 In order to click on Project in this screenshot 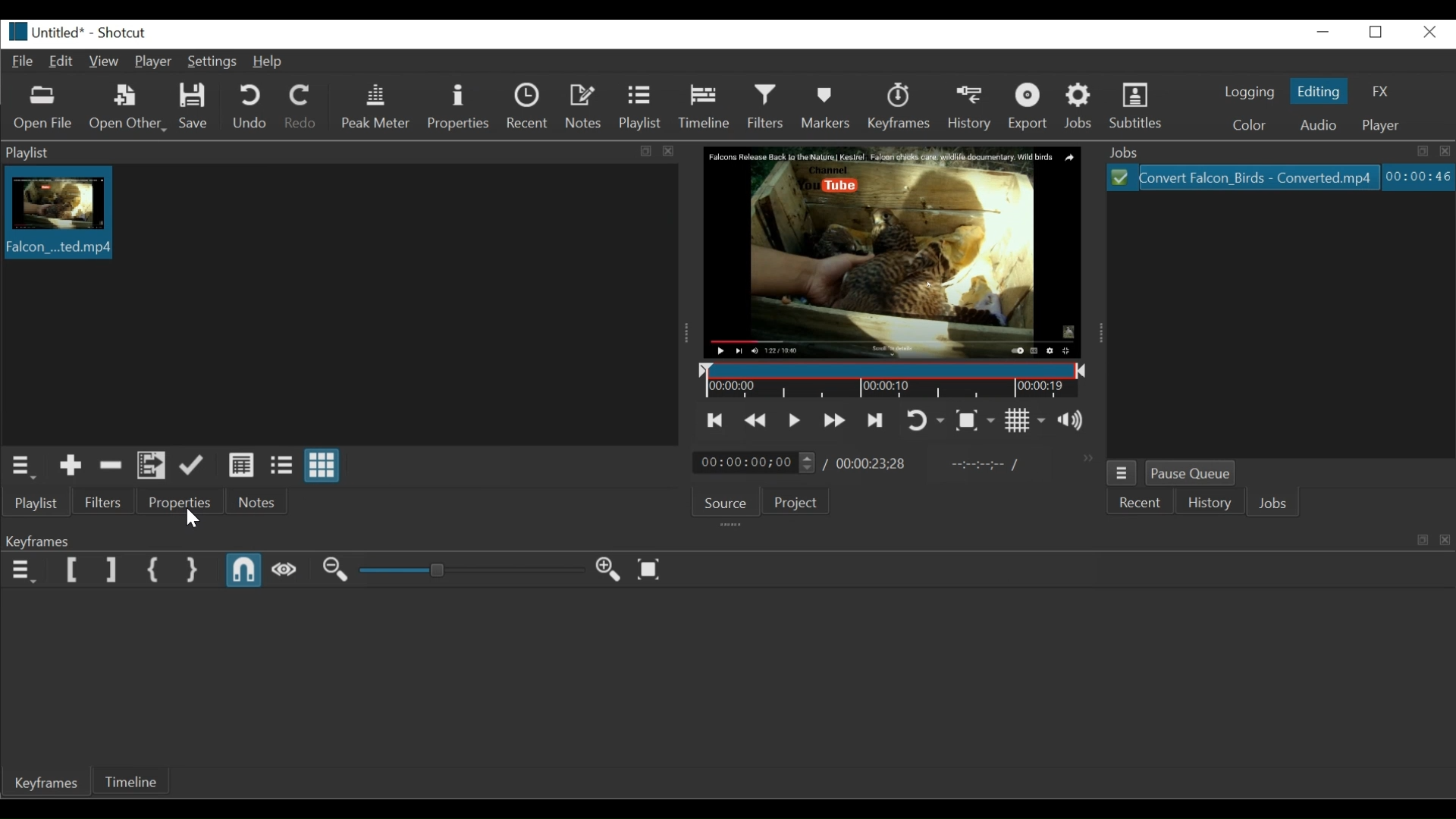, I will do `click(795, 500)`.